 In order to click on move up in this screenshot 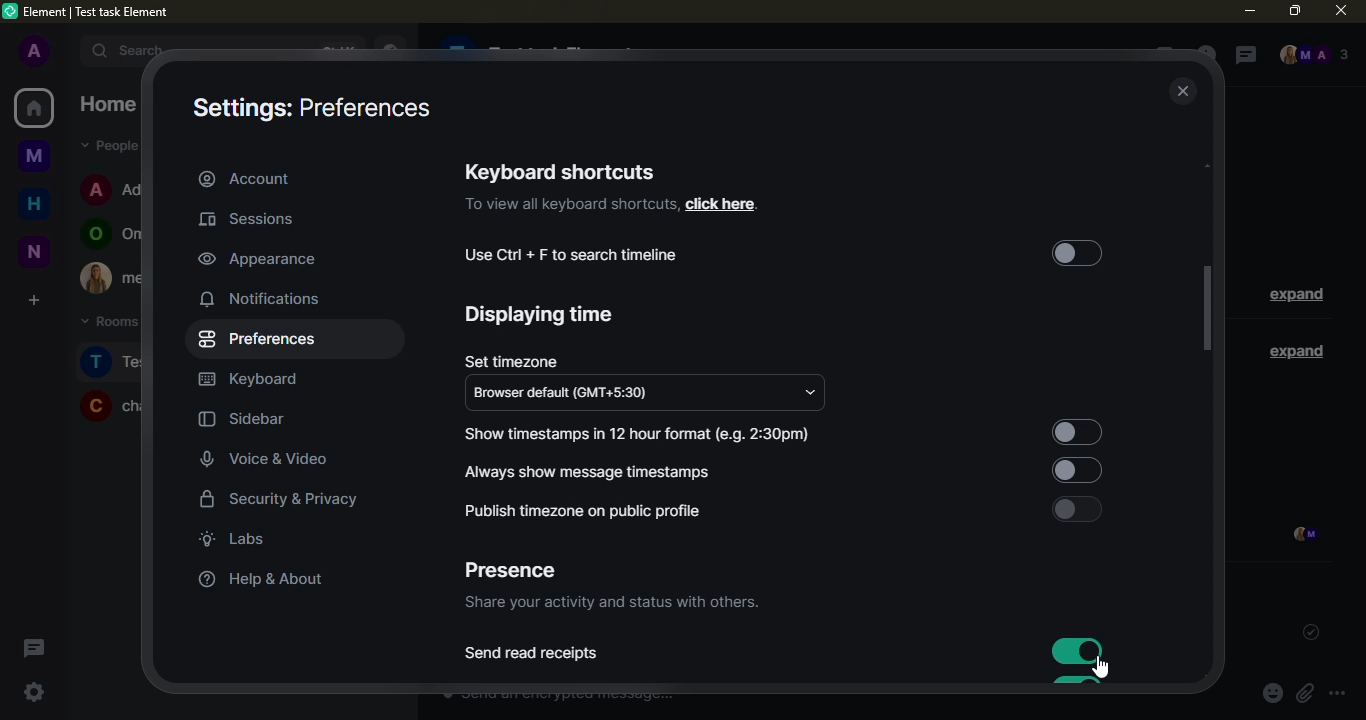, I will do `click(1212, 163)`.